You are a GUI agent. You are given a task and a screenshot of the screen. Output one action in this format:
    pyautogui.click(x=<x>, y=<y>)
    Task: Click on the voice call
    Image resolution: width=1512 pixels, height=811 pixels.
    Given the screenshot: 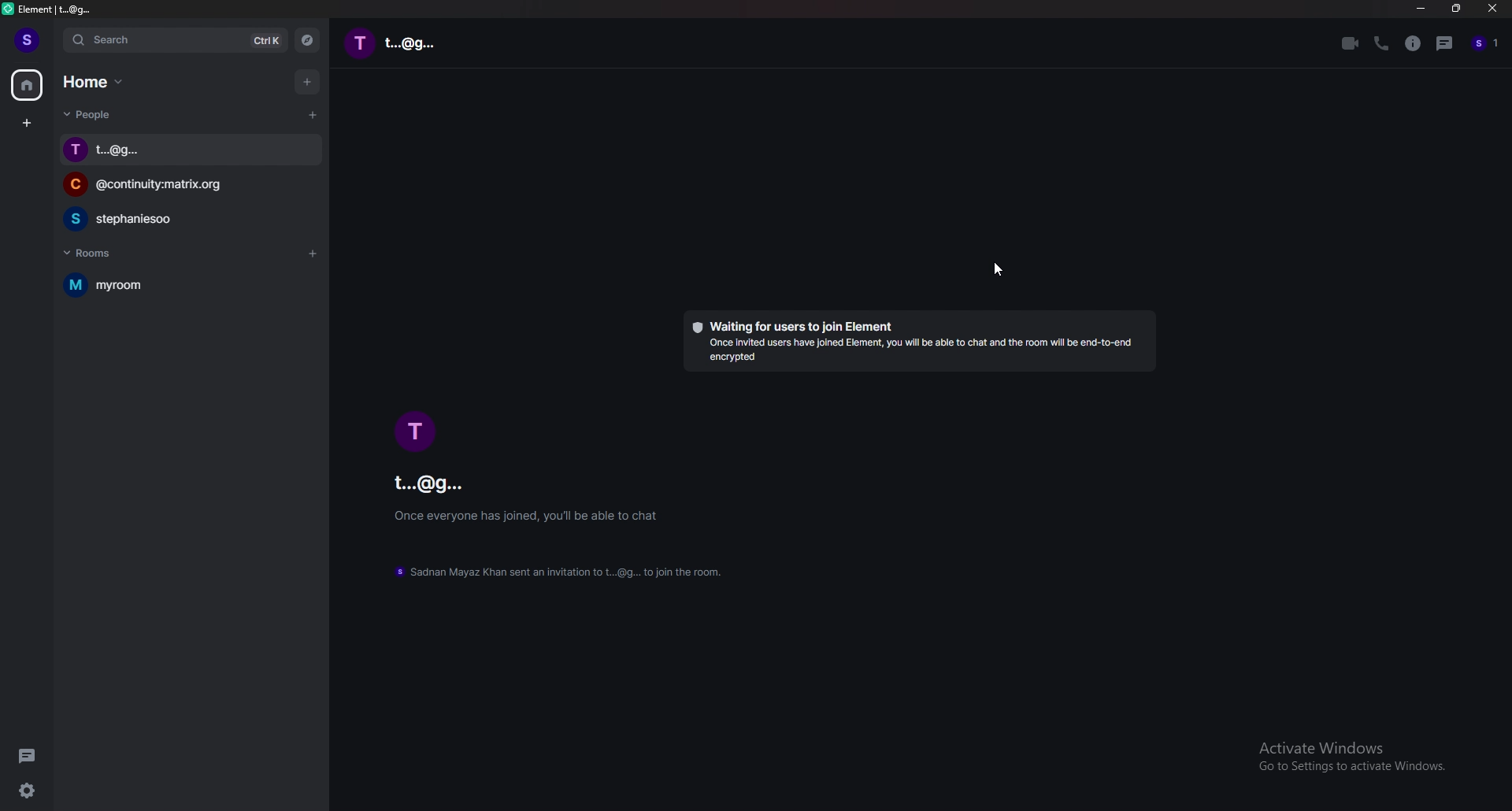 What is the action you would take?
    pyautogui.click(x=1381, y=44)
    